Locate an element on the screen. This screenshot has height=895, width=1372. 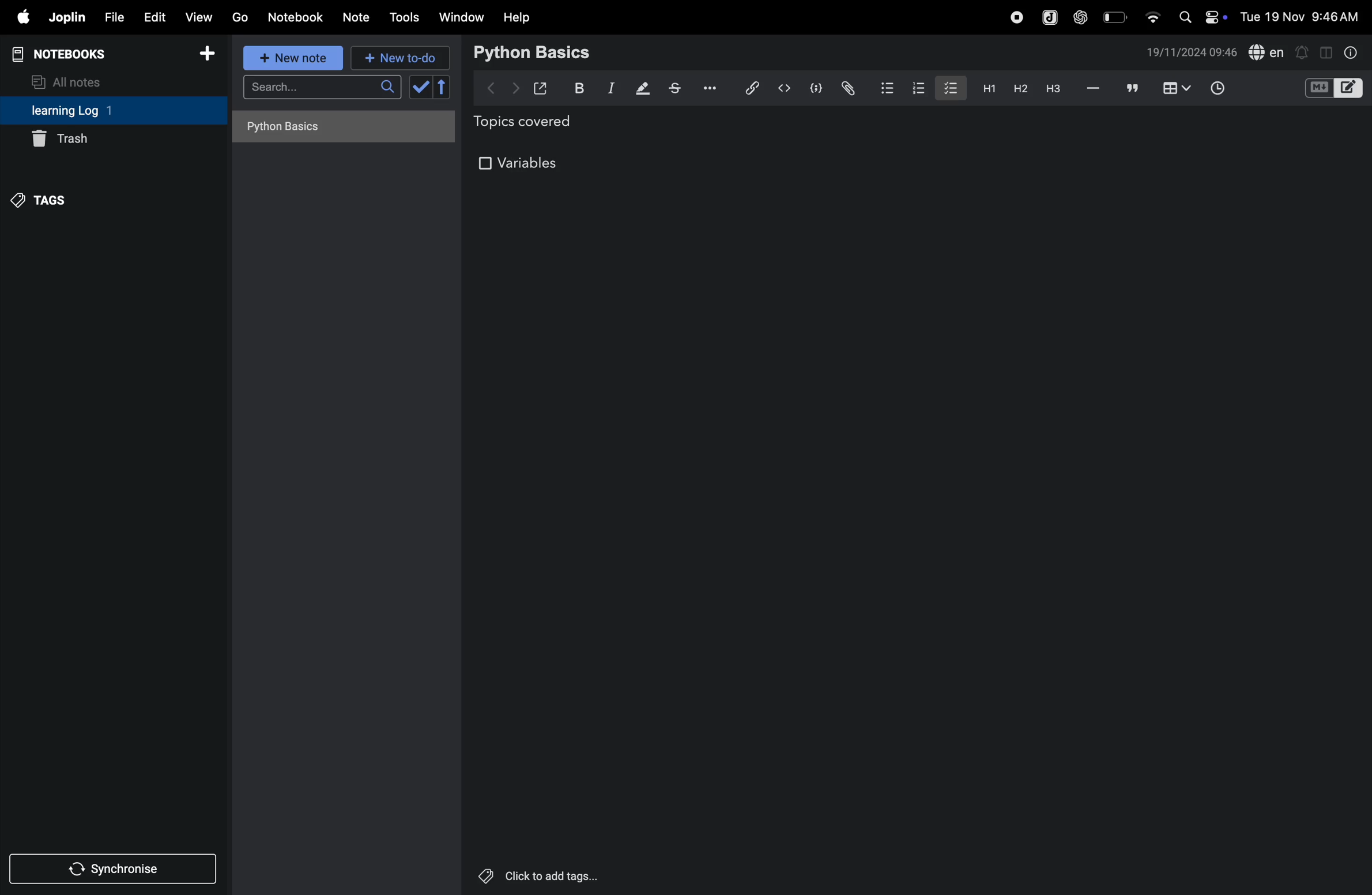
add is located at coordinates (208, 57).